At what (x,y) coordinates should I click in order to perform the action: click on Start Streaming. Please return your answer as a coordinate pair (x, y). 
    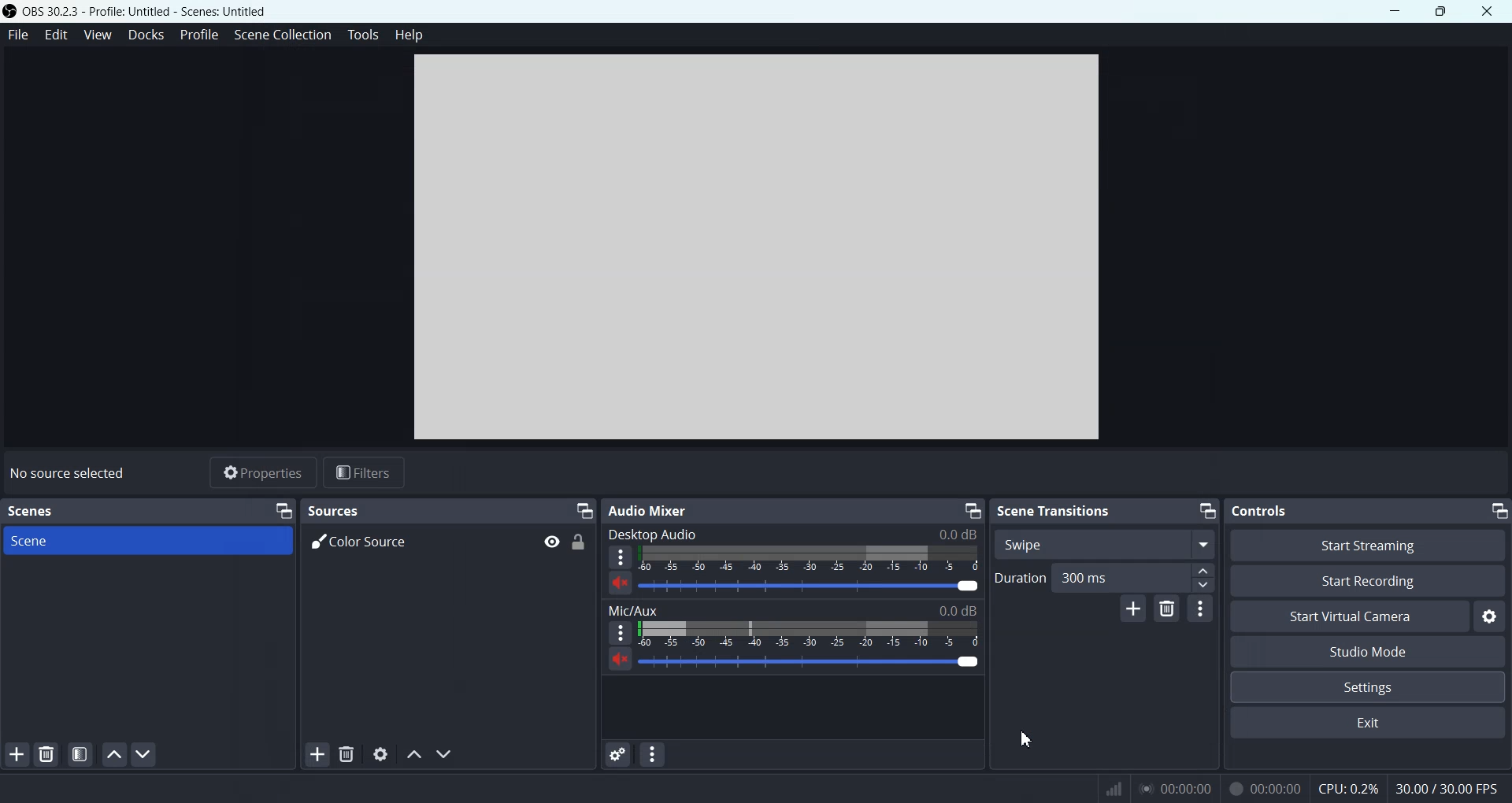
    Looking at the image, I should click on (1369, 544).